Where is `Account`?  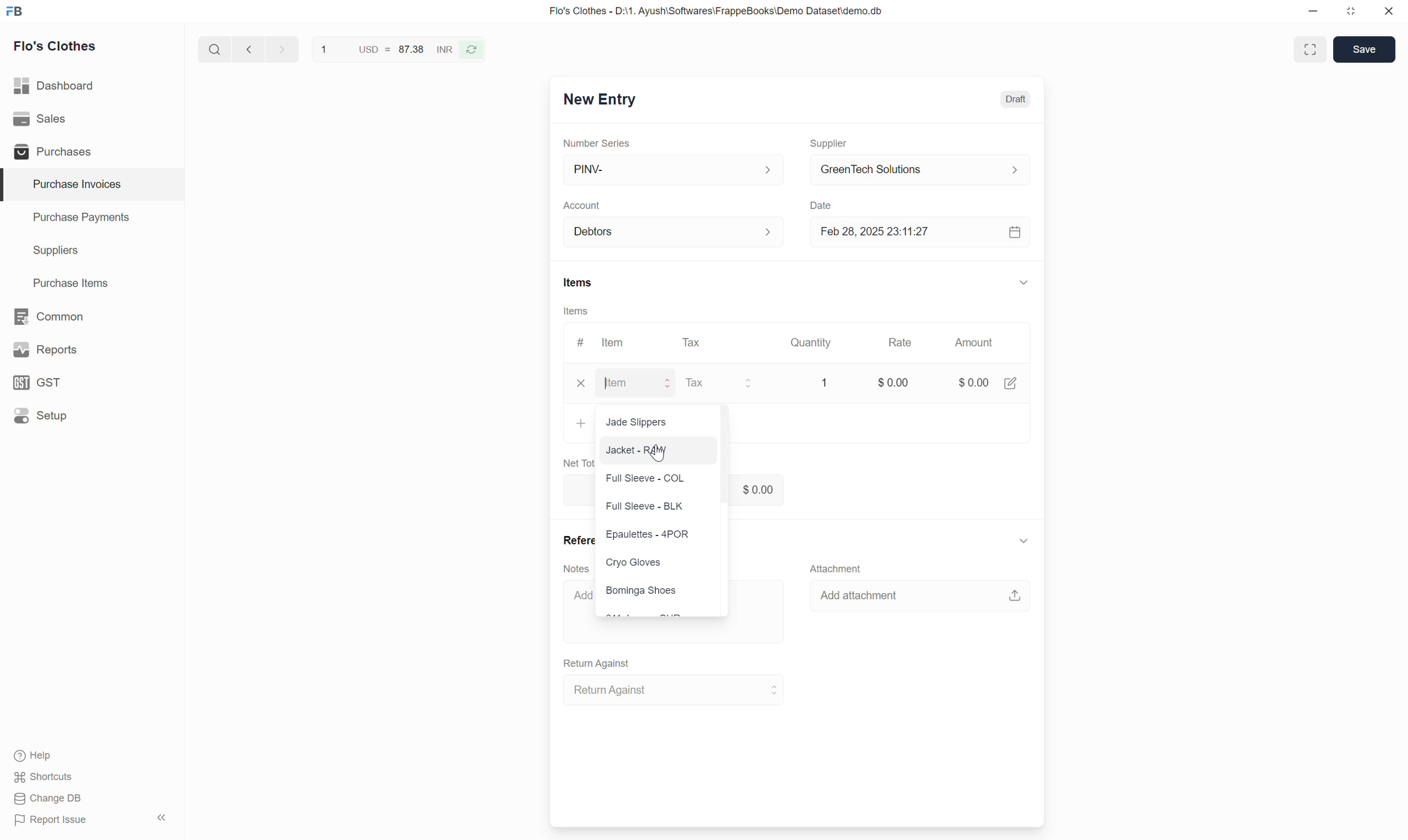
Account is located at coordinates (583, 206).